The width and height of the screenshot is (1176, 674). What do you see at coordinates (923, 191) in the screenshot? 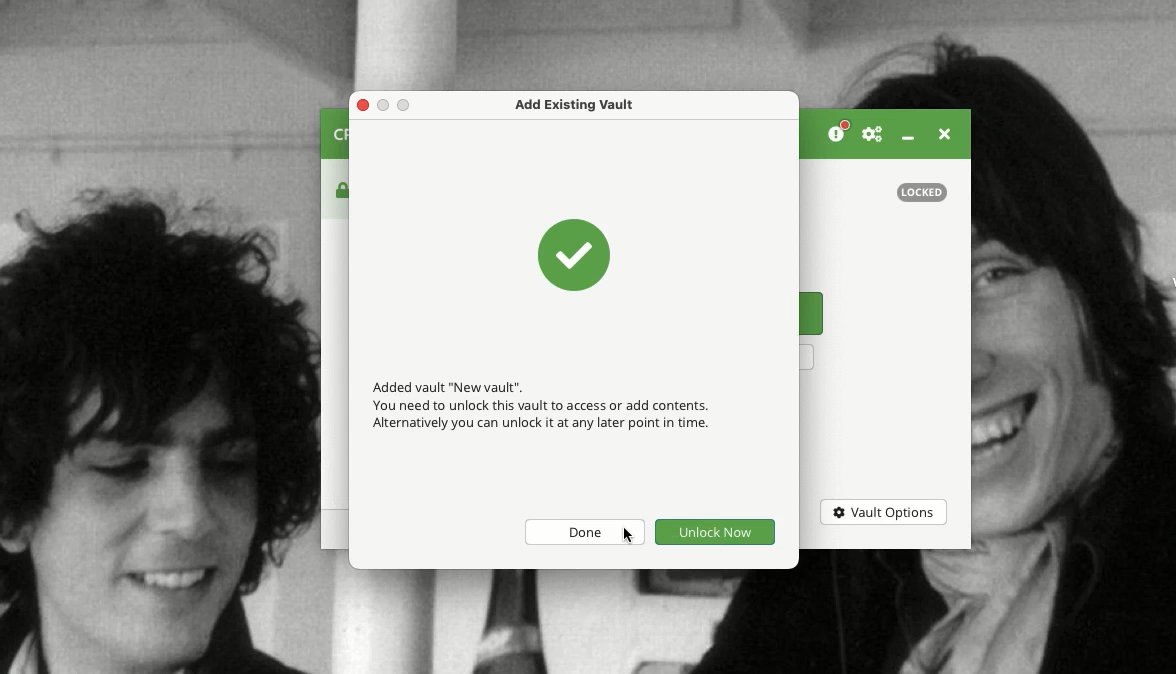
I see `Locked` at bounding box center [923, 191].